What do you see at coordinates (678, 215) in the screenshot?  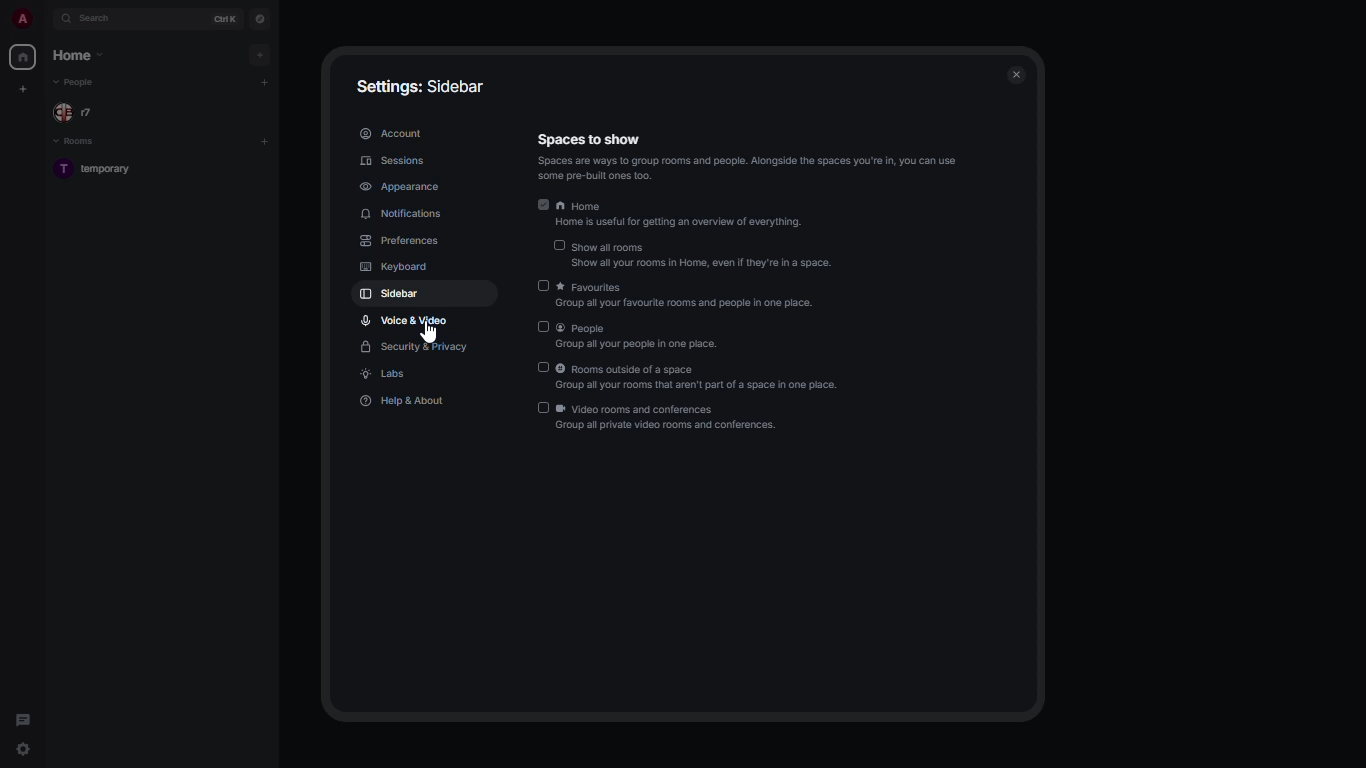 I see `home` at bounding box center [678, 215].